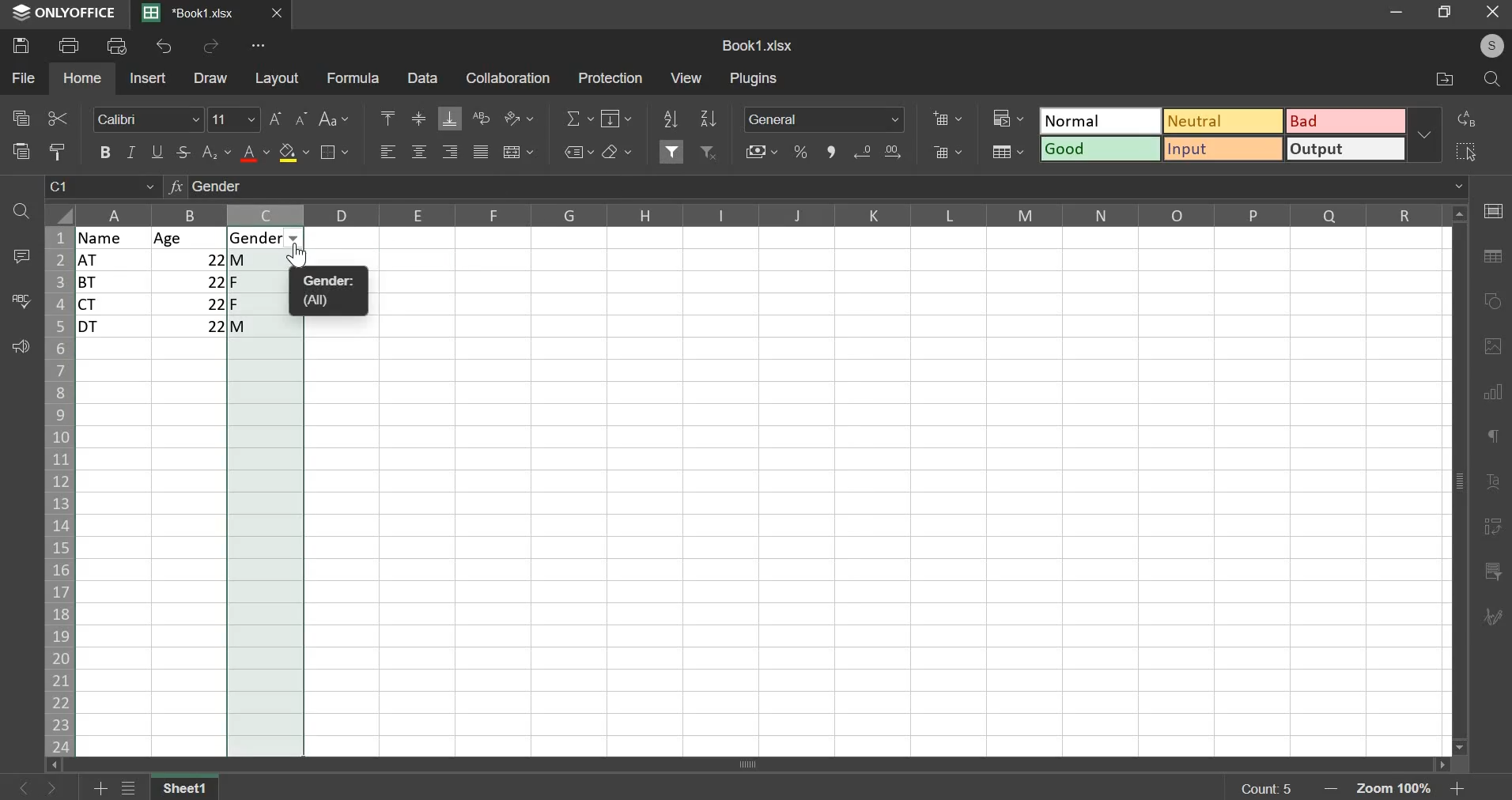 This screenshot has width=1512, height=800. Describe the element at coordinates (388, 152) in the screenshot. I see `left align` at that location.